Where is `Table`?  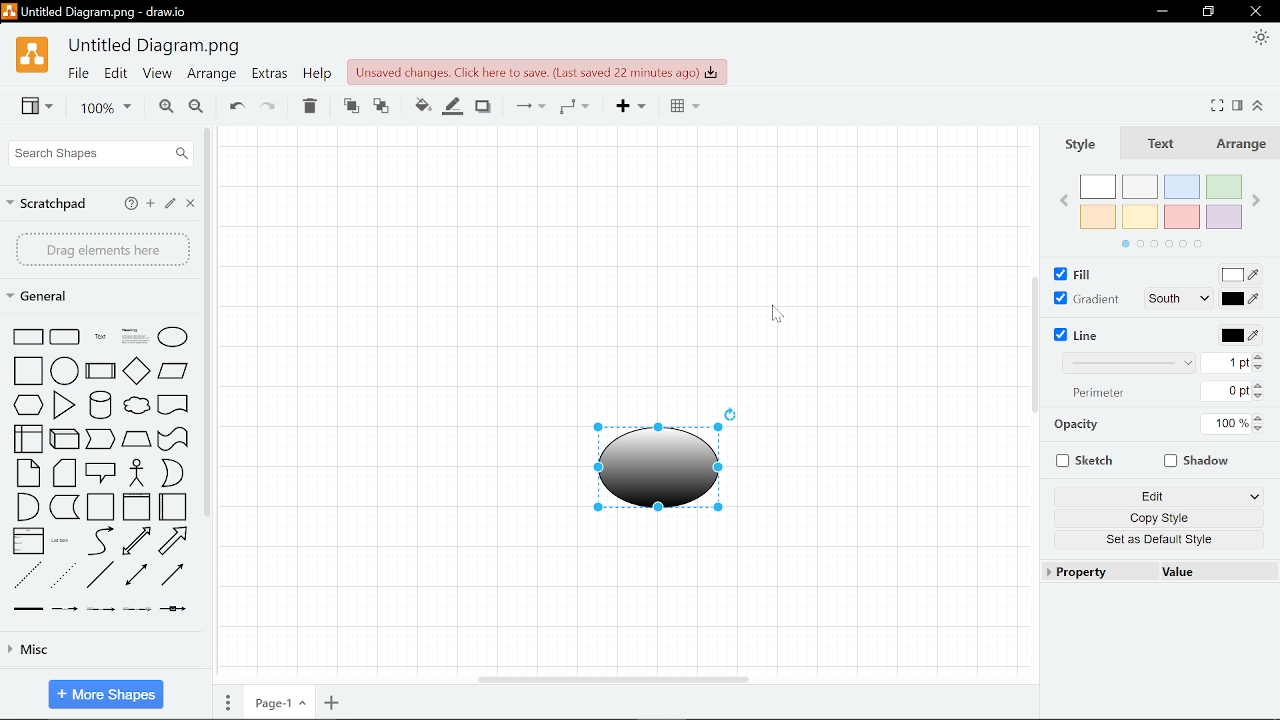
Table is located at coordinates (680, 105).